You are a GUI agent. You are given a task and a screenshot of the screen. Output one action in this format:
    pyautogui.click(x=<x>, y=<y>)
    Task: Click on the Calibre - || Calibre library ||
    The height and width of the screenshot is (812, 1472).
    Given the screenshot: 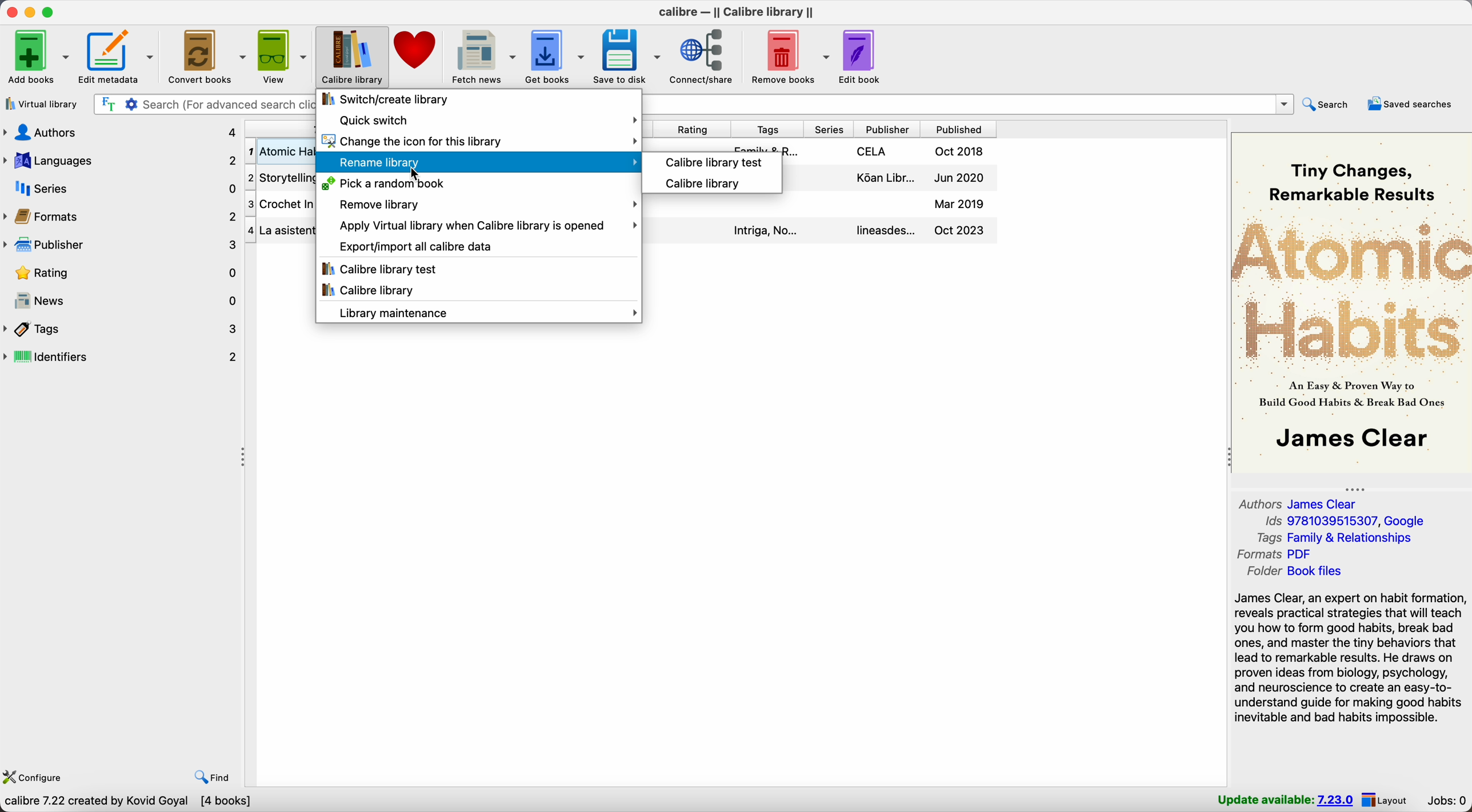 What is the action you would take?
    pyautogui.click(x=738, y=10)
    